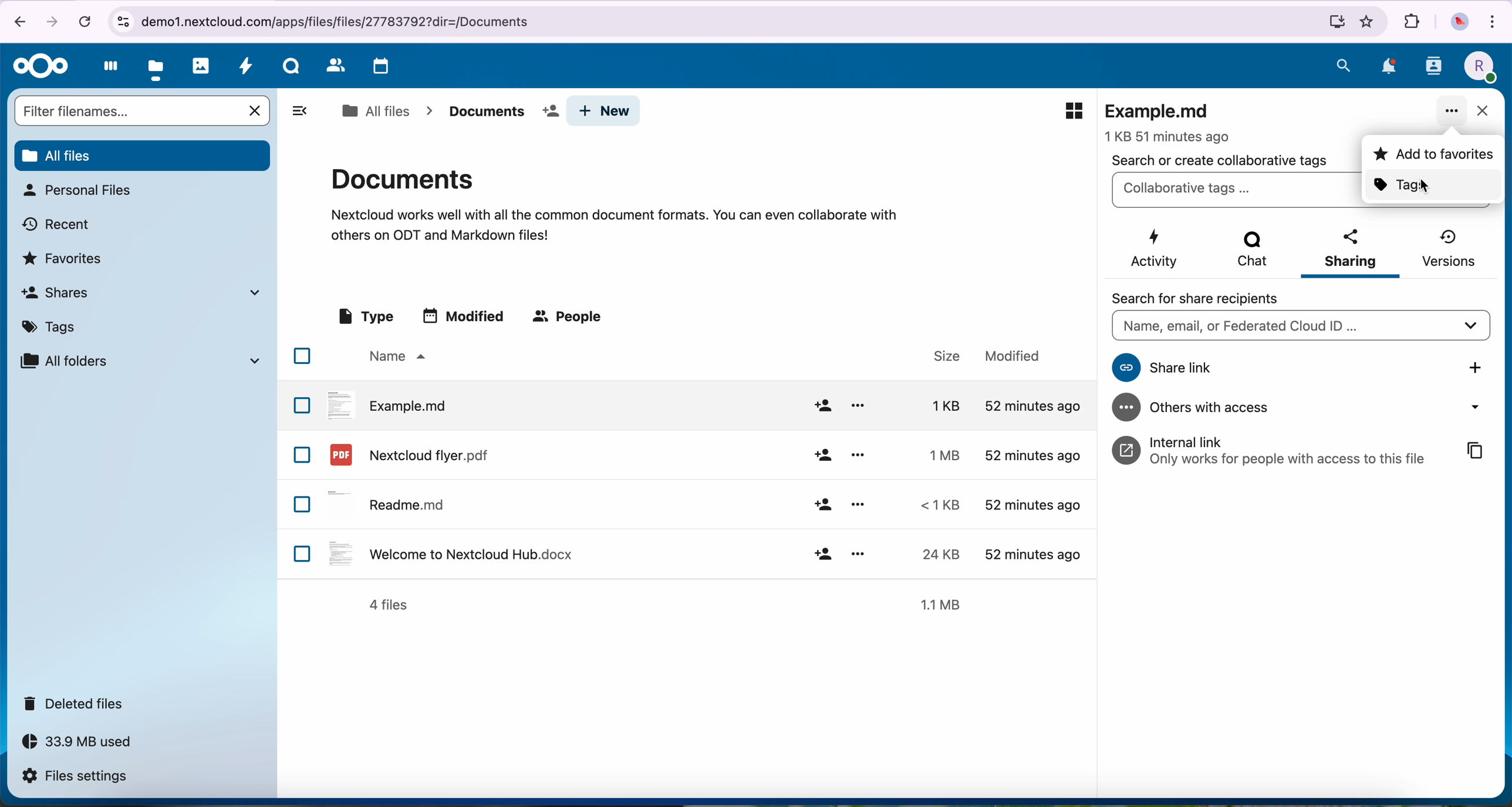 The height and width of the screenshot is (807, 1512). I want to click on notifications, so click(1386, 66).